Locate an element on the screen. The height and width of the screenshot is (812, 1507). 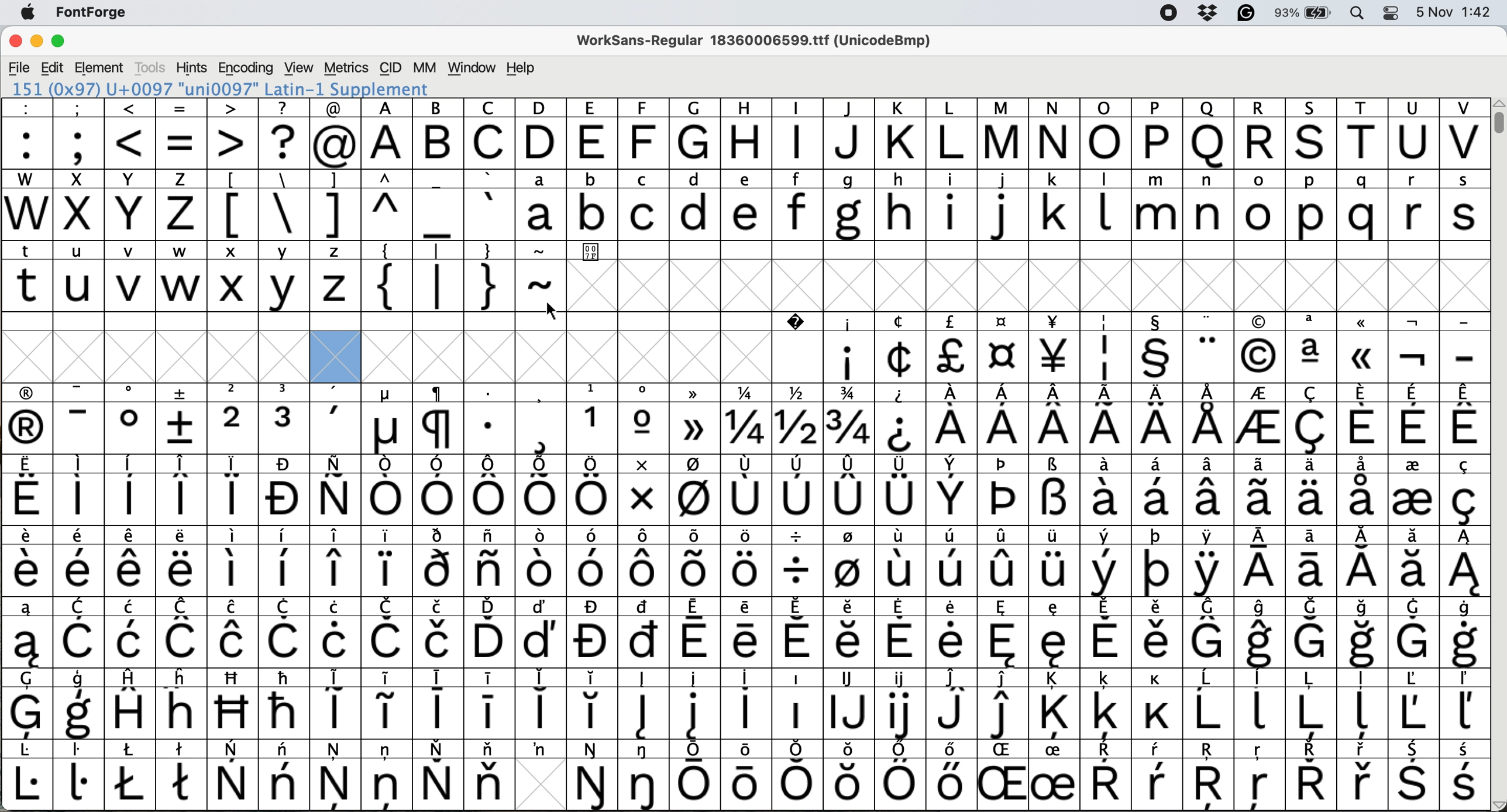
symbol is located at coordinates (696, 490).